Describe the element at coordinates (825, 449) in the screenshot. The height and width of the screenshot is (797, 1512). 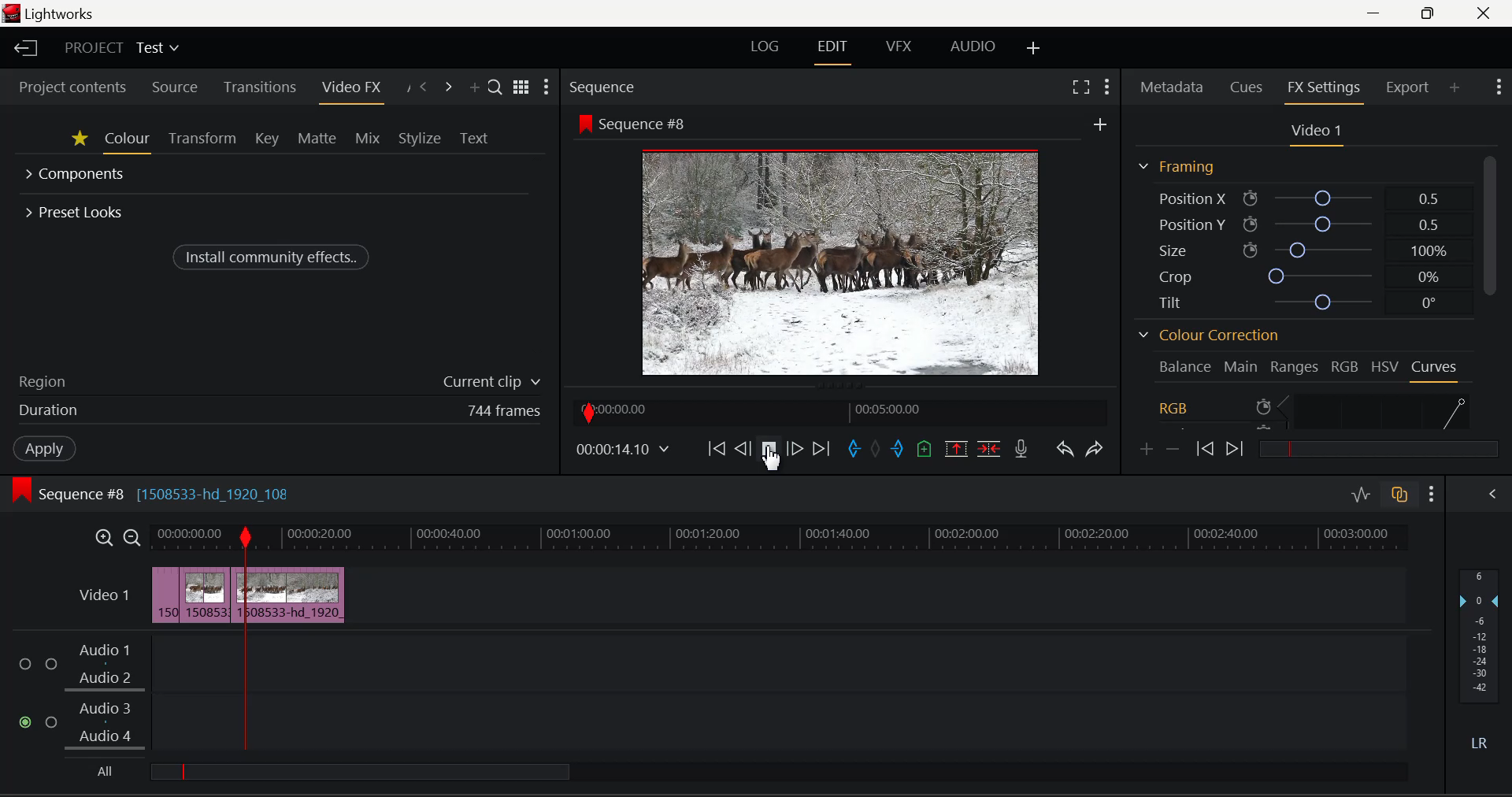
I see `To End` at that location.